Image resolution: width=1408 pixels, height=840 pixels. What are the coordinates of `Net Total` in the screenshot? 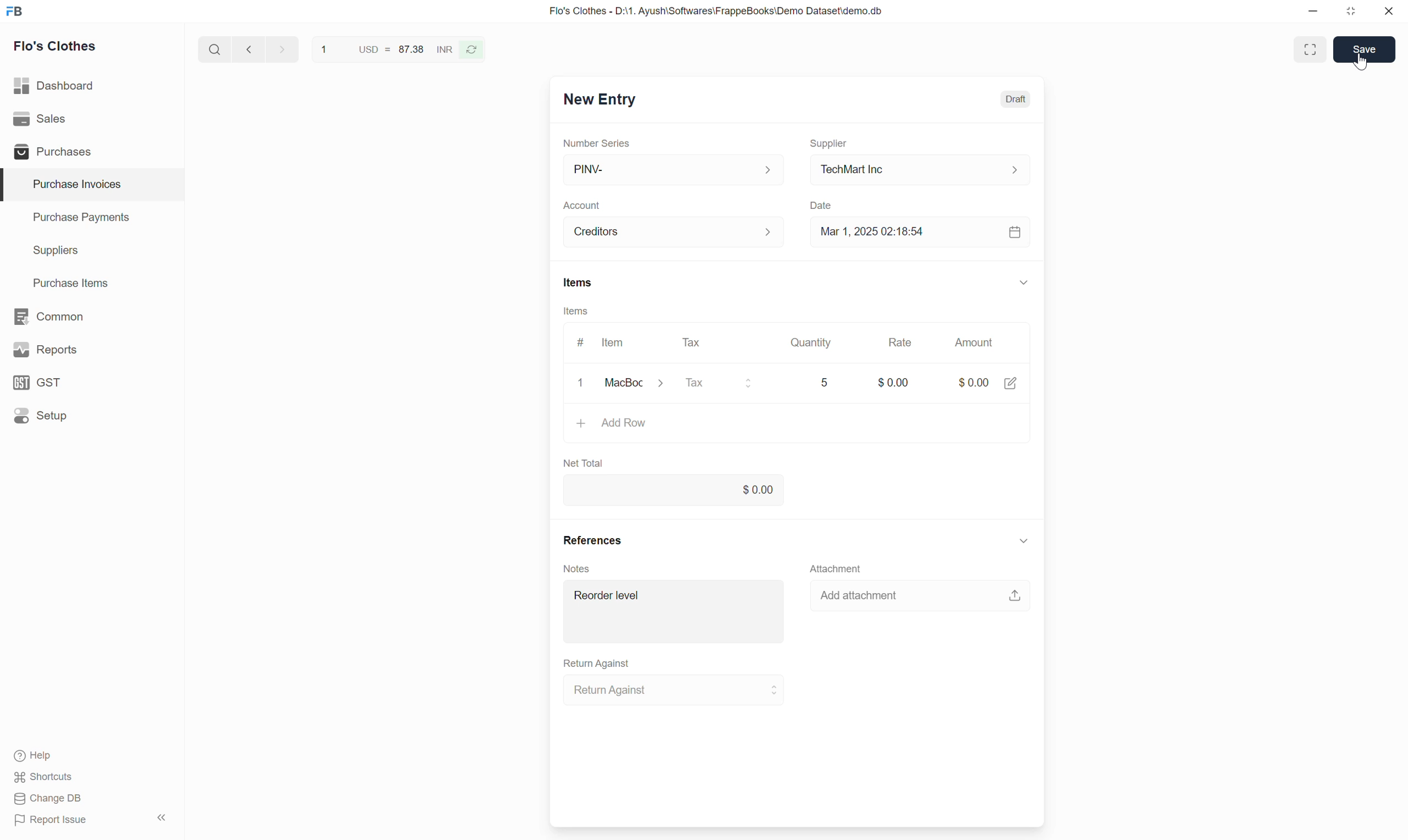 It's located at (584, 464).